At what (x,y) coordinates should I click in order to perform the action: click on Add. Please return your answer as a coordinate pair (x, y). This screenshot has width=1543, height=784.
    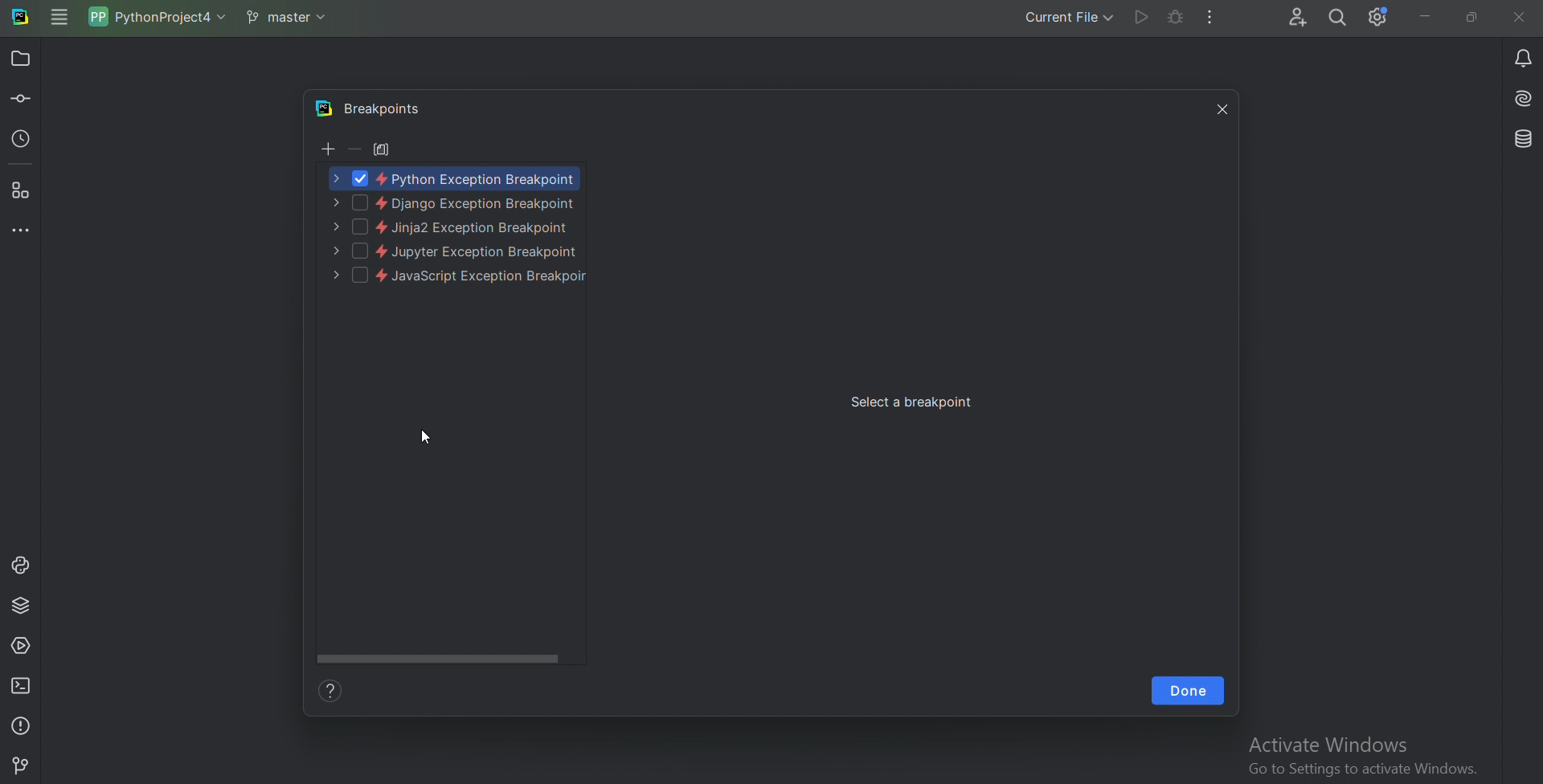
    Looking at the image, I should click on (326, 150).